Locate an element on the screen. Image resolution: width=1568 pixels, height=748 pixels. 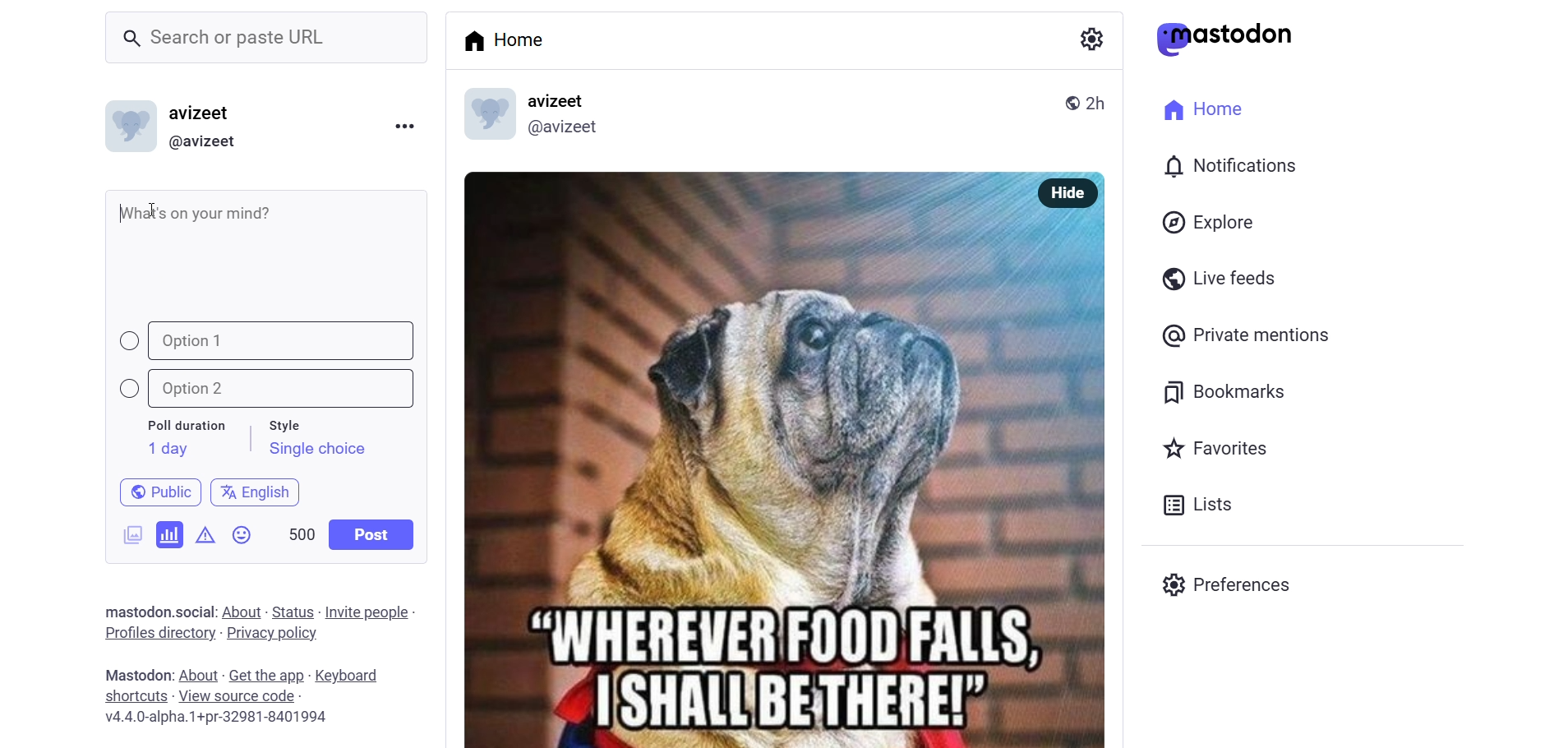
display picture is located at coordinates (481, 116).